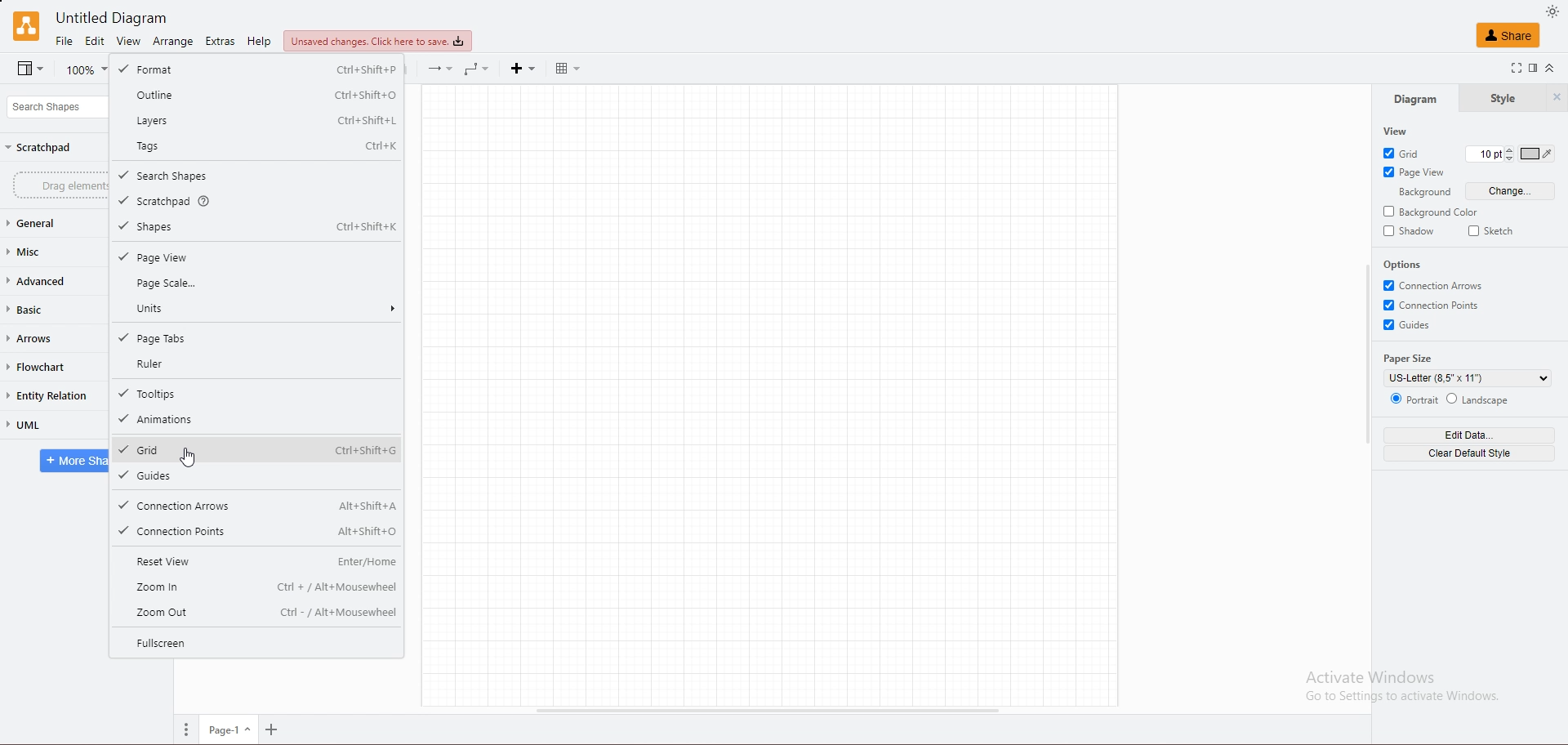  I want to click on decrease grid pt, so click(1509, 160).